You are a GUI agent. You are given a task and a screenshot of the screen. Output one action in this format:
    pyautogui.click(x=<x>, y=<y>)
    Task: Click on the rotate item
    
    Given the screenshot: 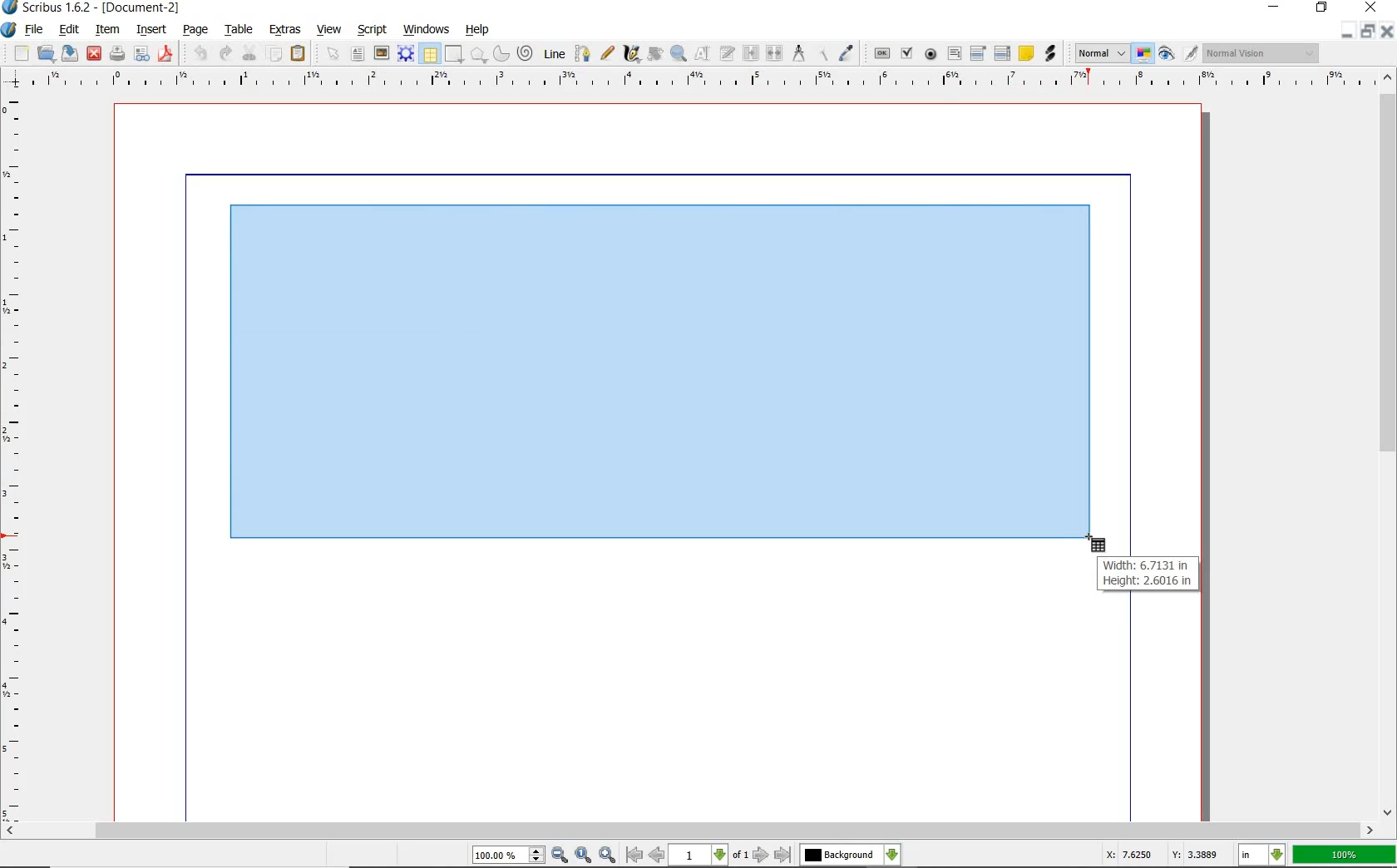 What is the action you would take?
    pyautogui.click(x=654, y=55)
    